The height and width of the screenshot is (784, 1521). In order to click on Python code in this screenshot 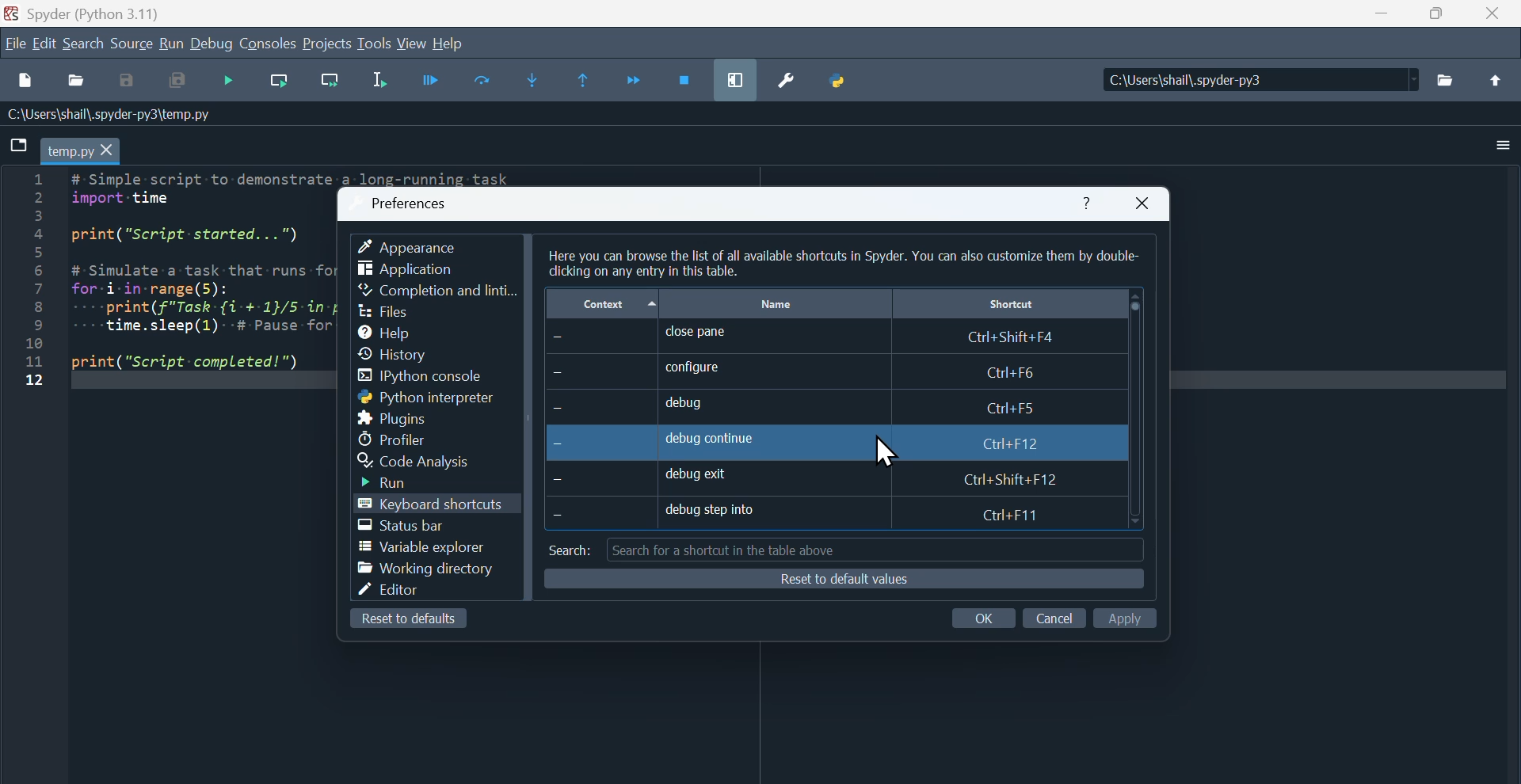, I will do `click(155, 287)`.